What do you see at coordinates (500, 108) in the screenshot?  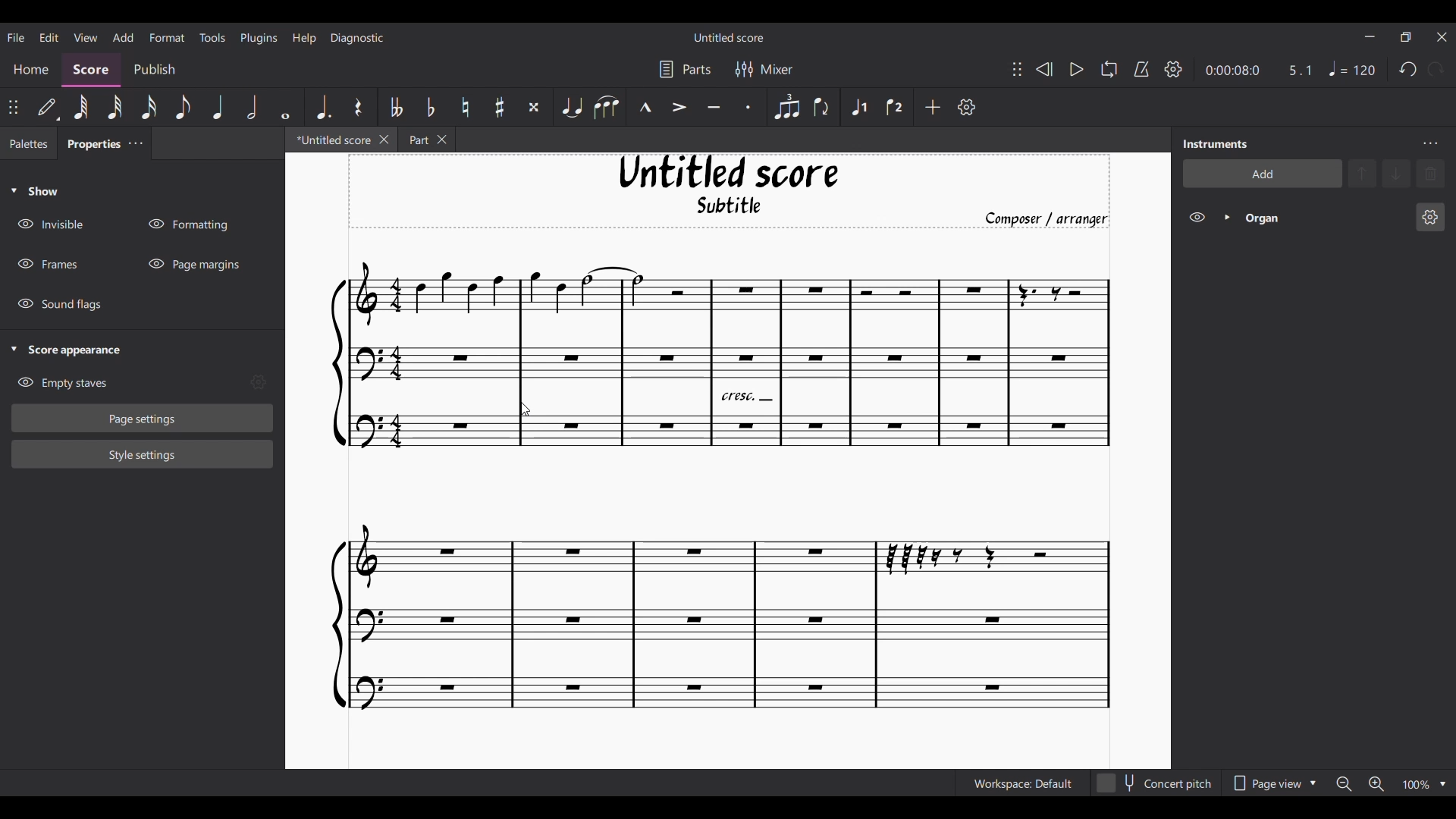 I see `Toggle sharp` at bounding box center [500, 108].